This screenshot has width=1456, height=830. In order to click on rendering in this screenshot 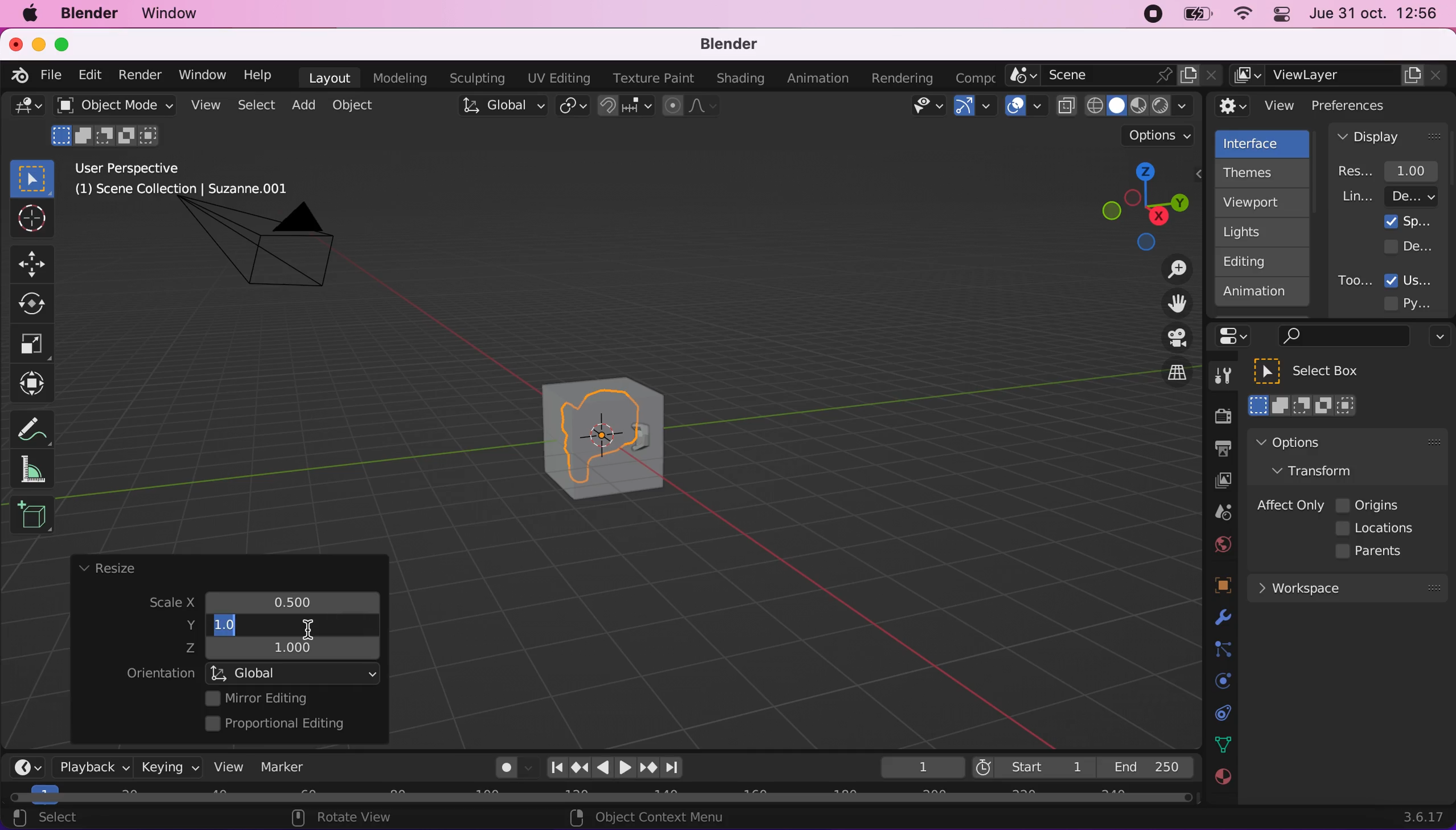, I will do `click(903, 79)`.